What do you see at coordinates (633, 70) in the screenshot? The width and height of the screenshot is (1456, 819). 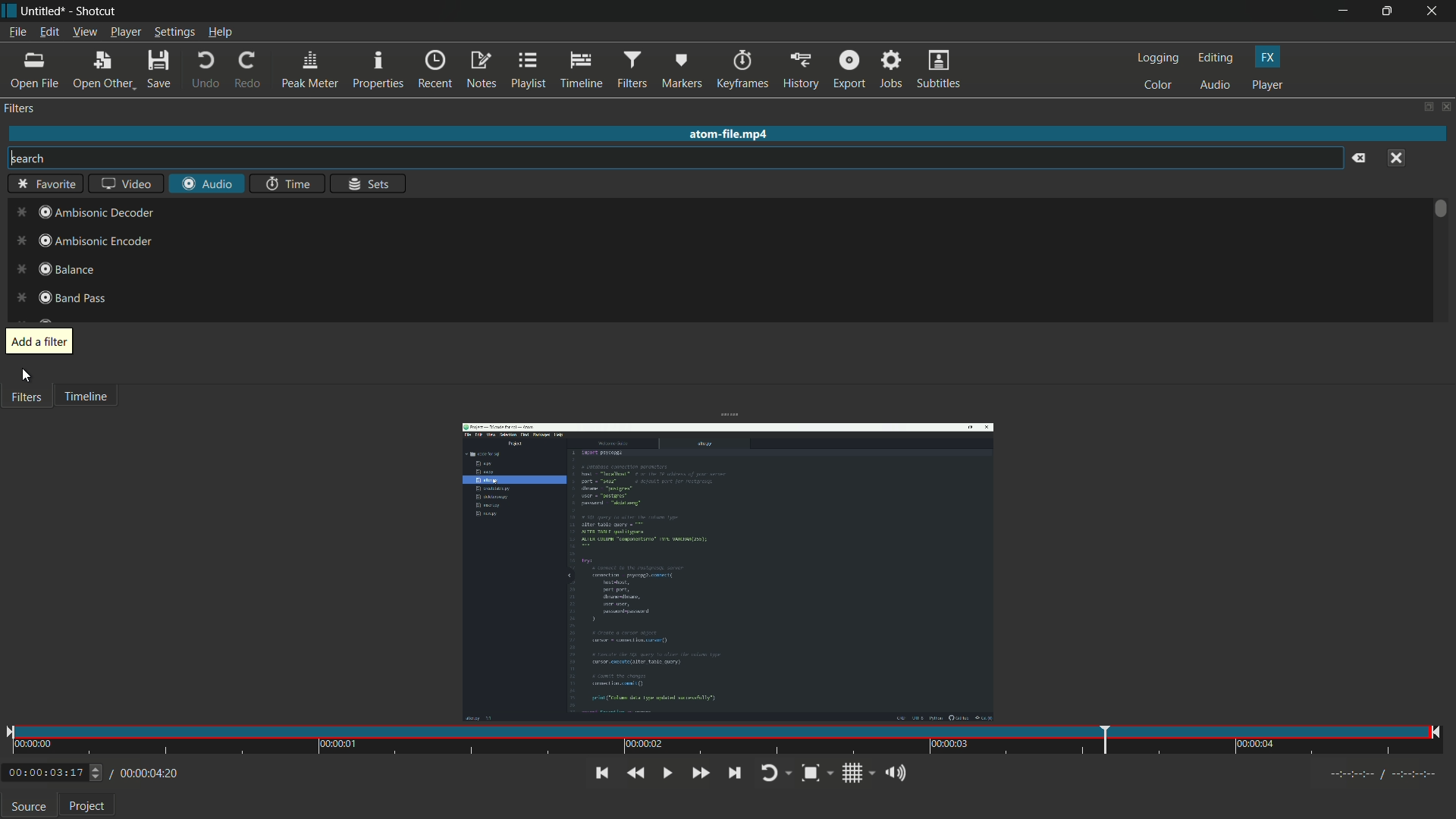 I see `filters` at bounding box center [633, 70].